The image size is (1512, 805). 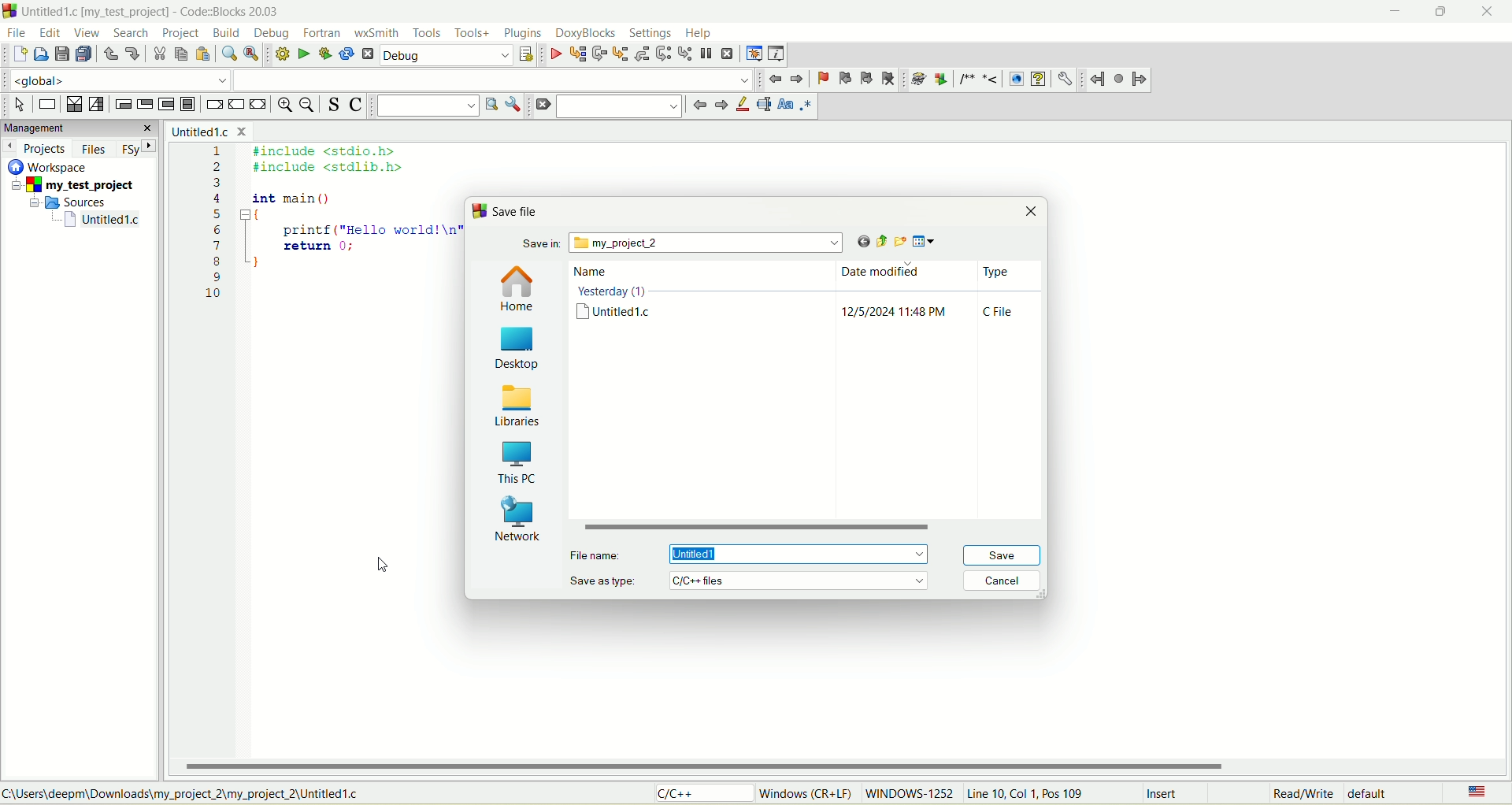 I want to click on return instruction, so click(x=259, y=105).